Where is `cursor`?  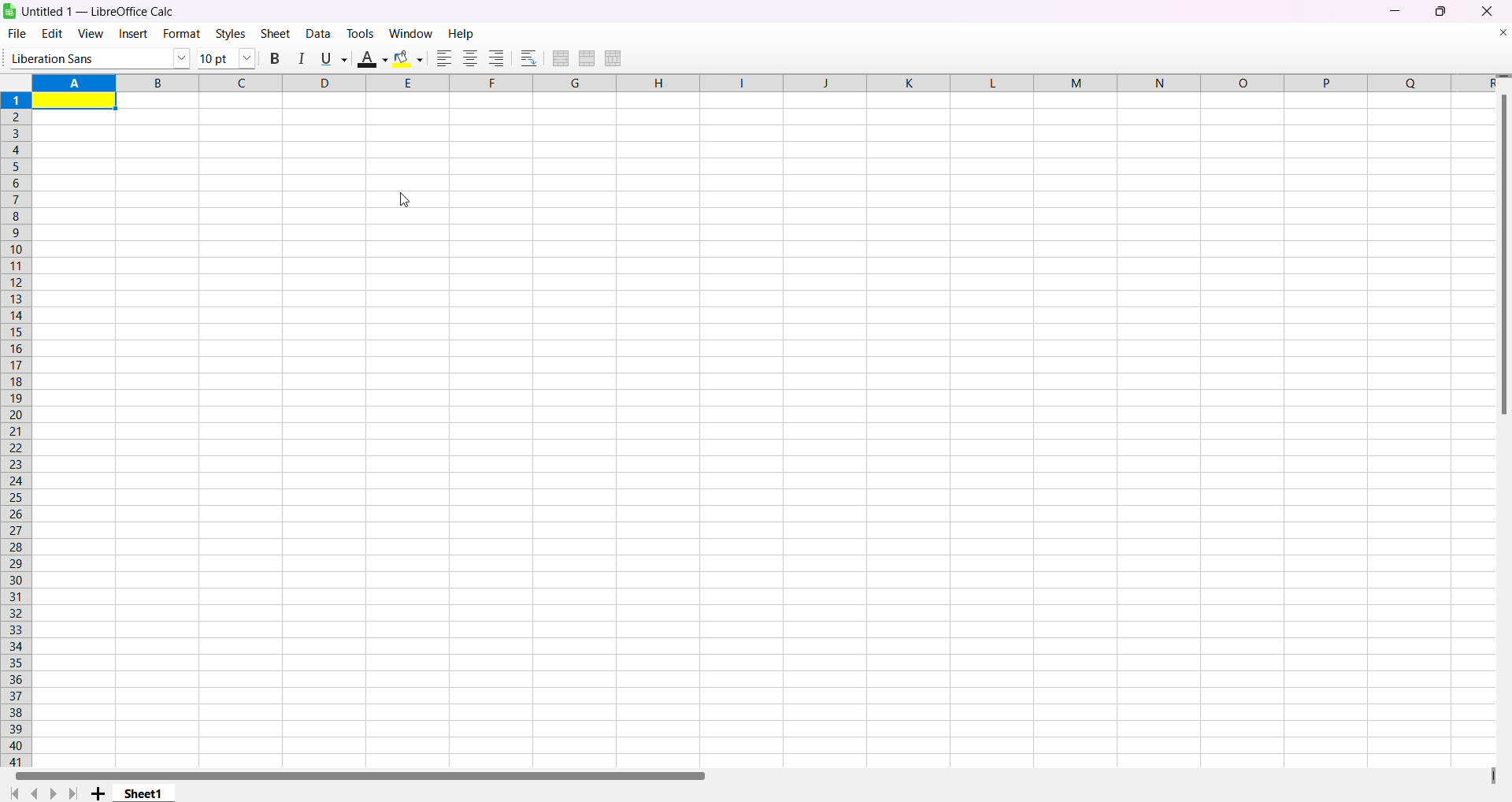
cursor is located at coordinates (409, 202).